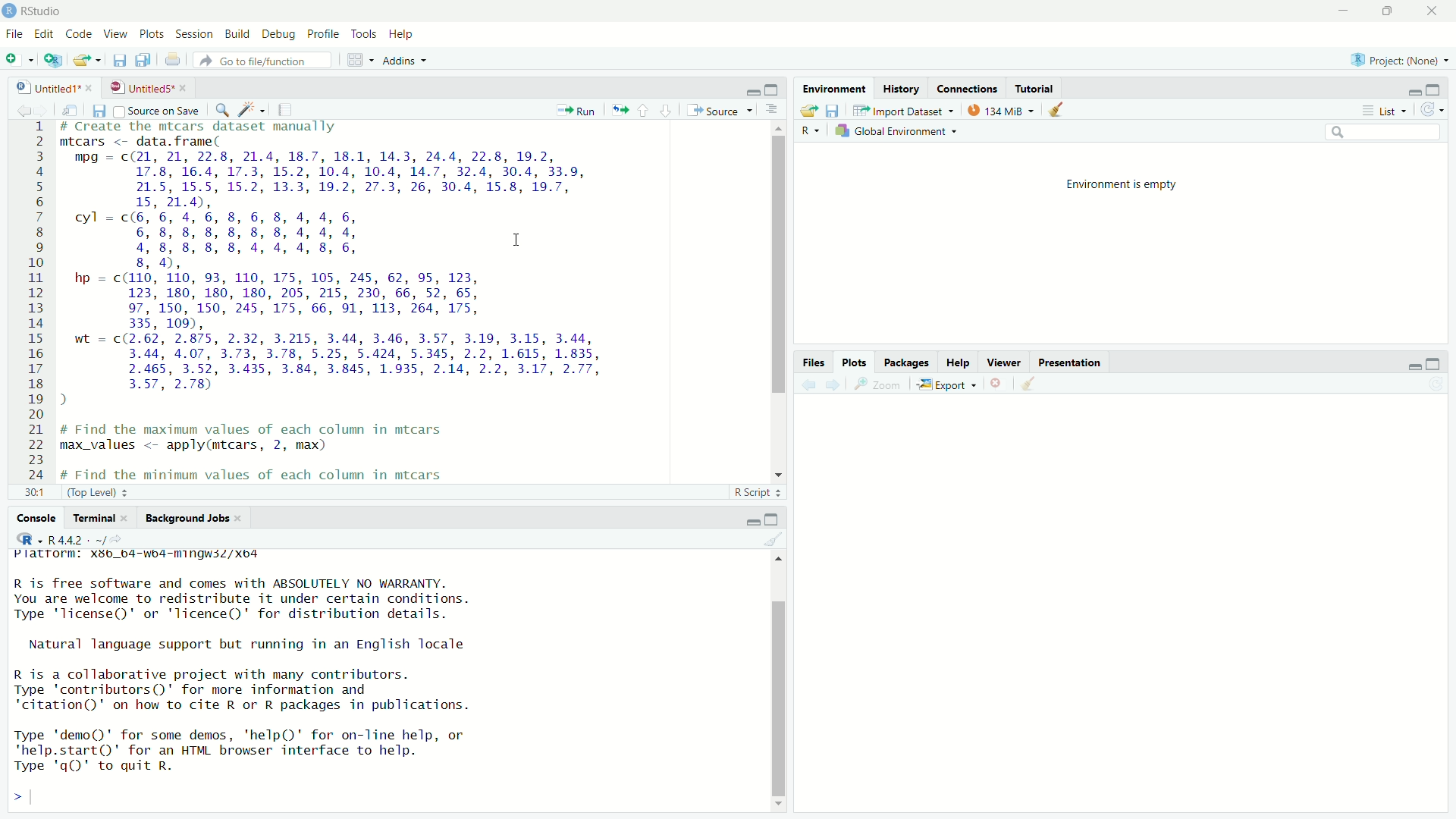 This screenshot has height=819, width=1456. What do you see at coordinates (103, 112) in the screenshot?
I see `files` at bounding box center [103, 112].